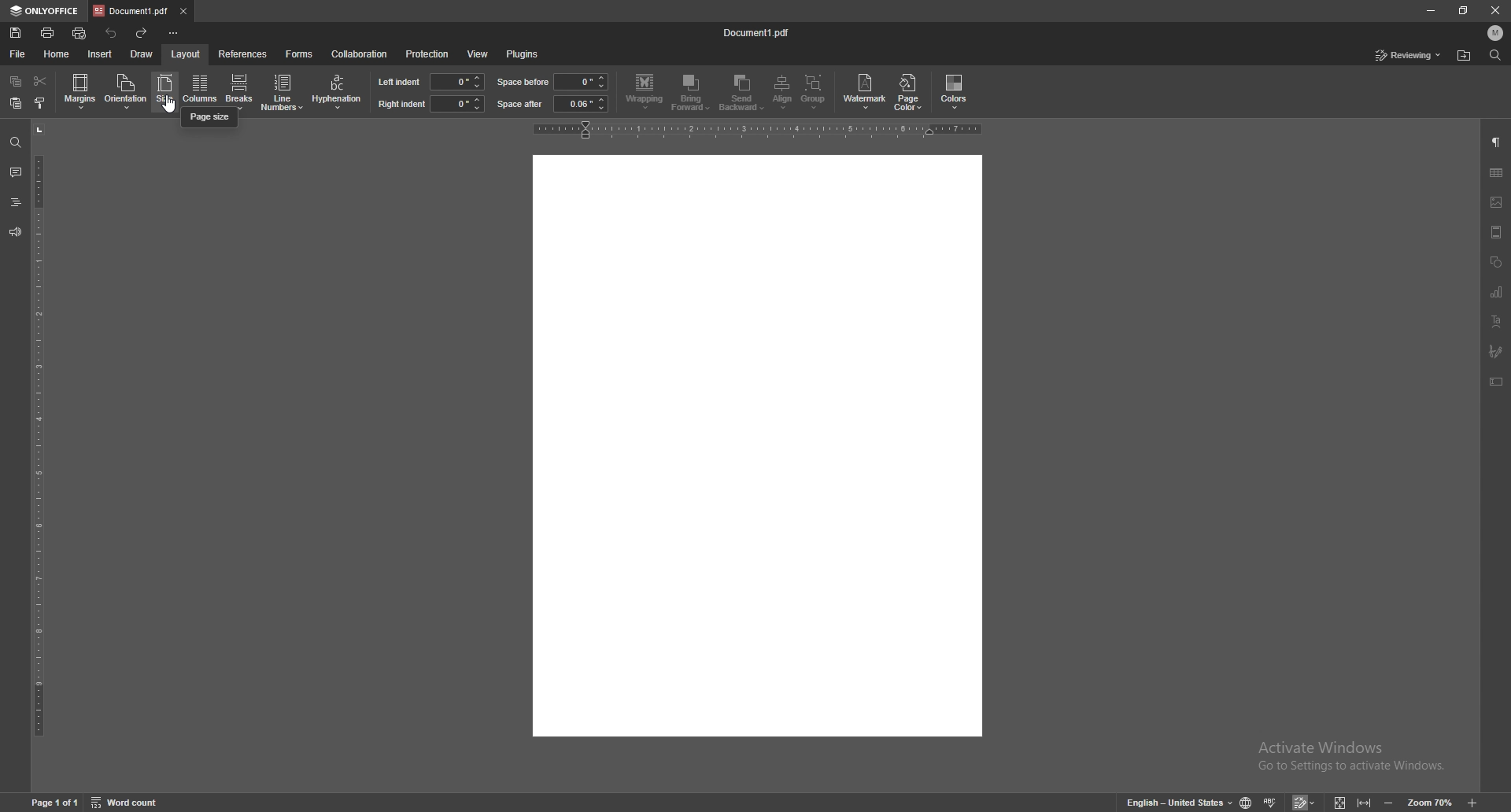  I want to click on page color, so click(911, 91).